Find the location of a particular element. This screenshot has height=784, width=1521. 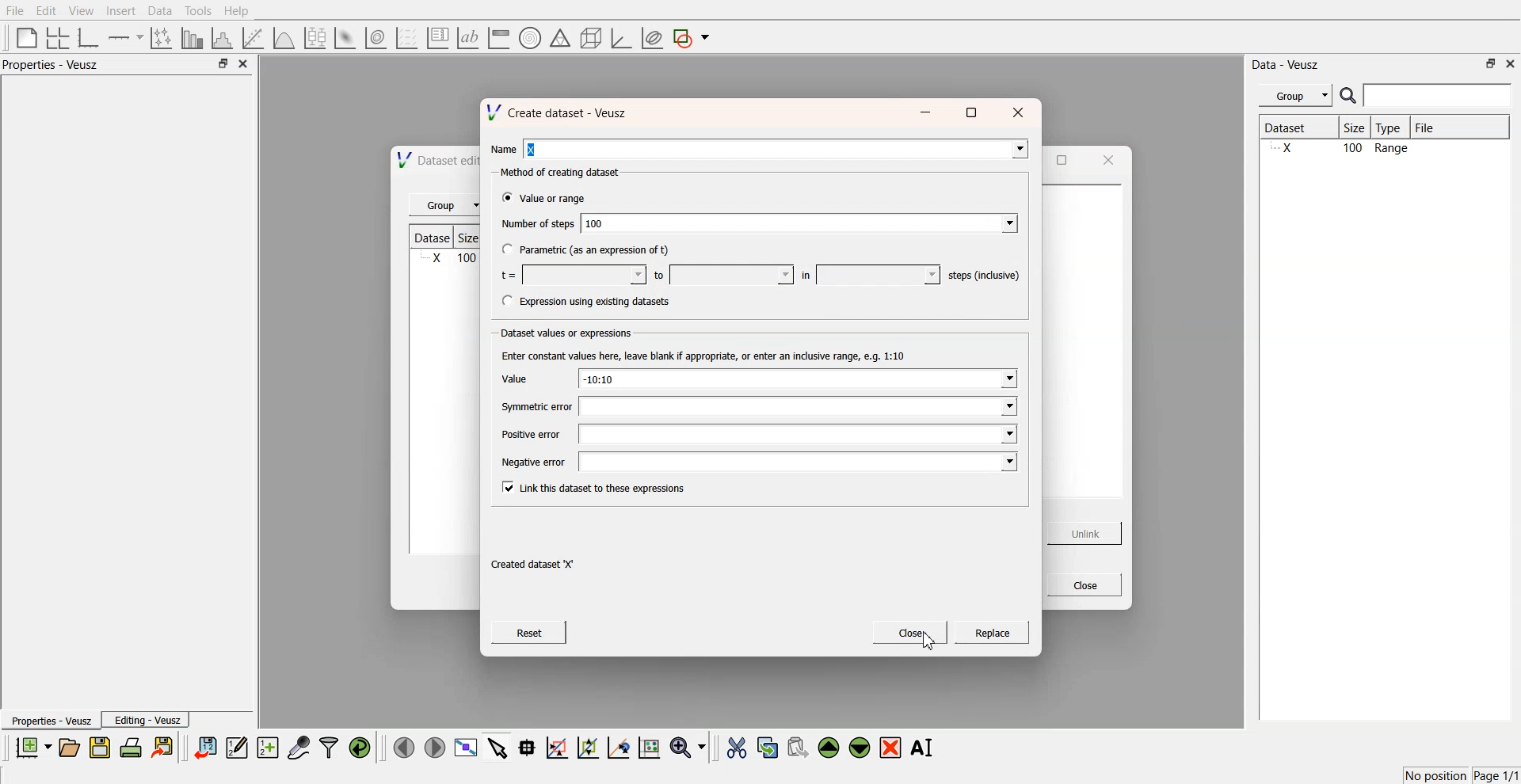

plot key is located at coordinates (437, 38).